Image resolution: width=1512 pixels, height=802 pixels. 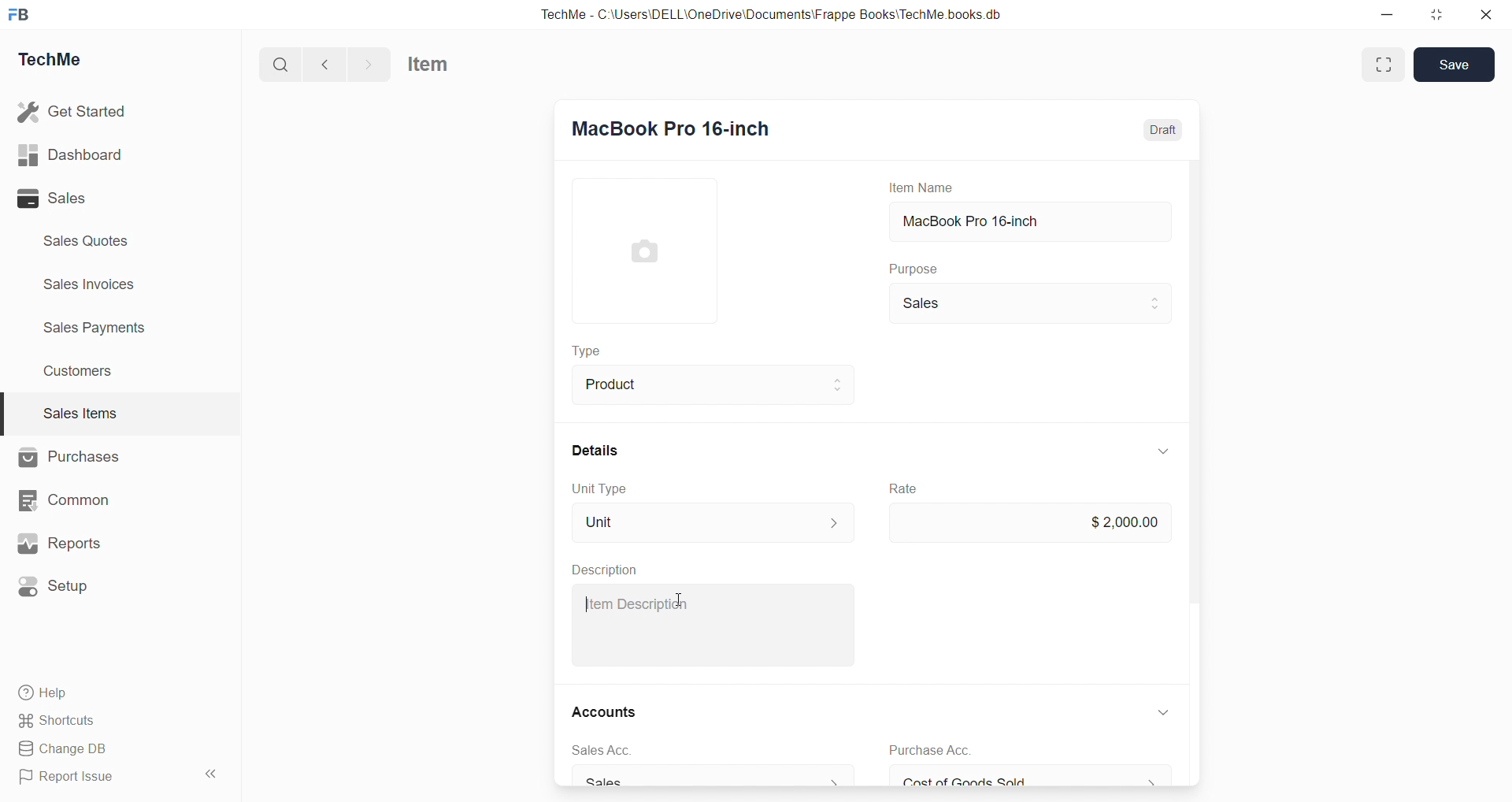 What do you see at coordinates (1162, 452) in the screenshot?
I see `down` at bounding box center [1162, 452].